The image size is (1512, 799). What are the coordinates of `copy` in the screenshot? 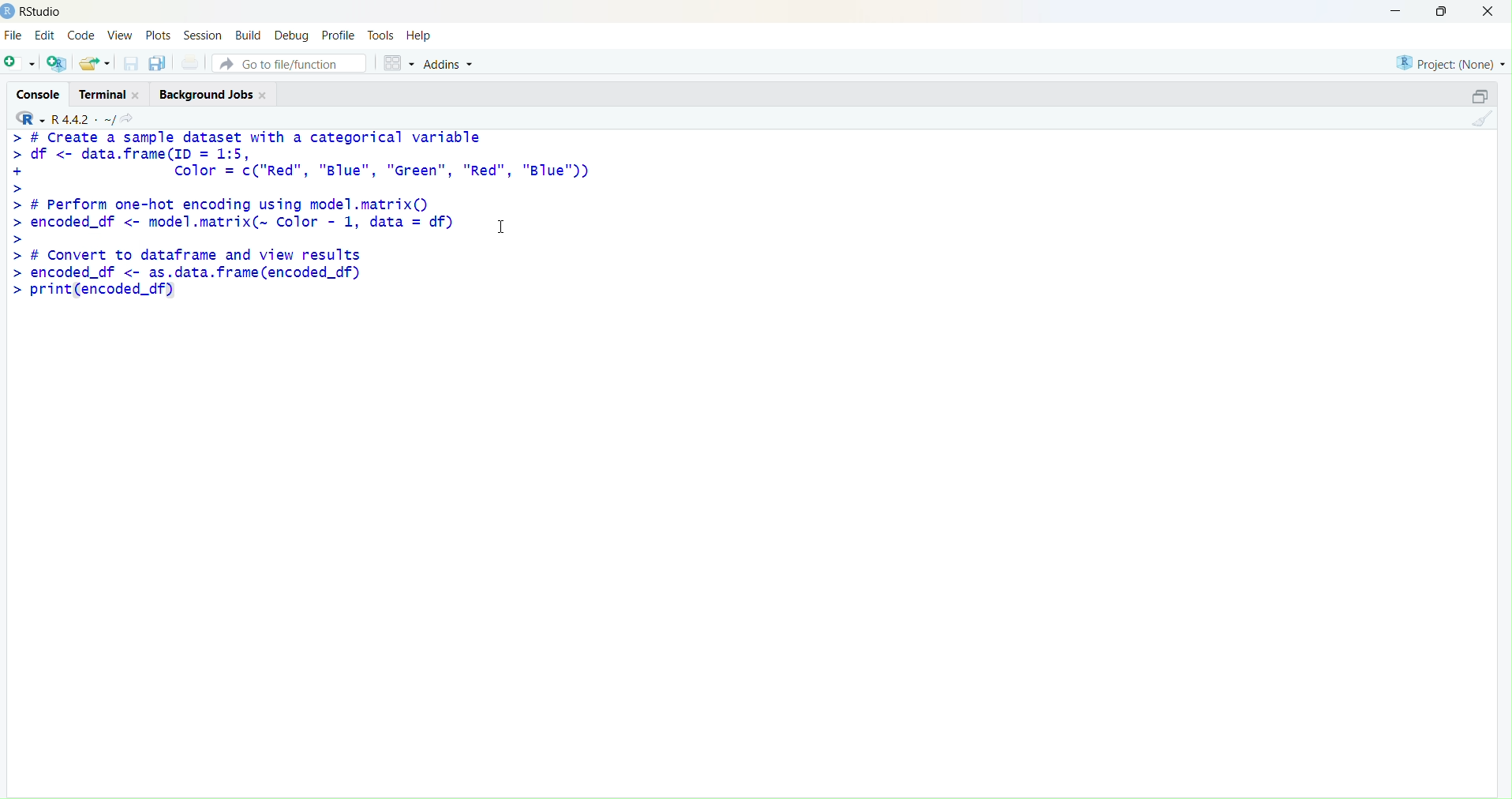 It's located at (158, 63).